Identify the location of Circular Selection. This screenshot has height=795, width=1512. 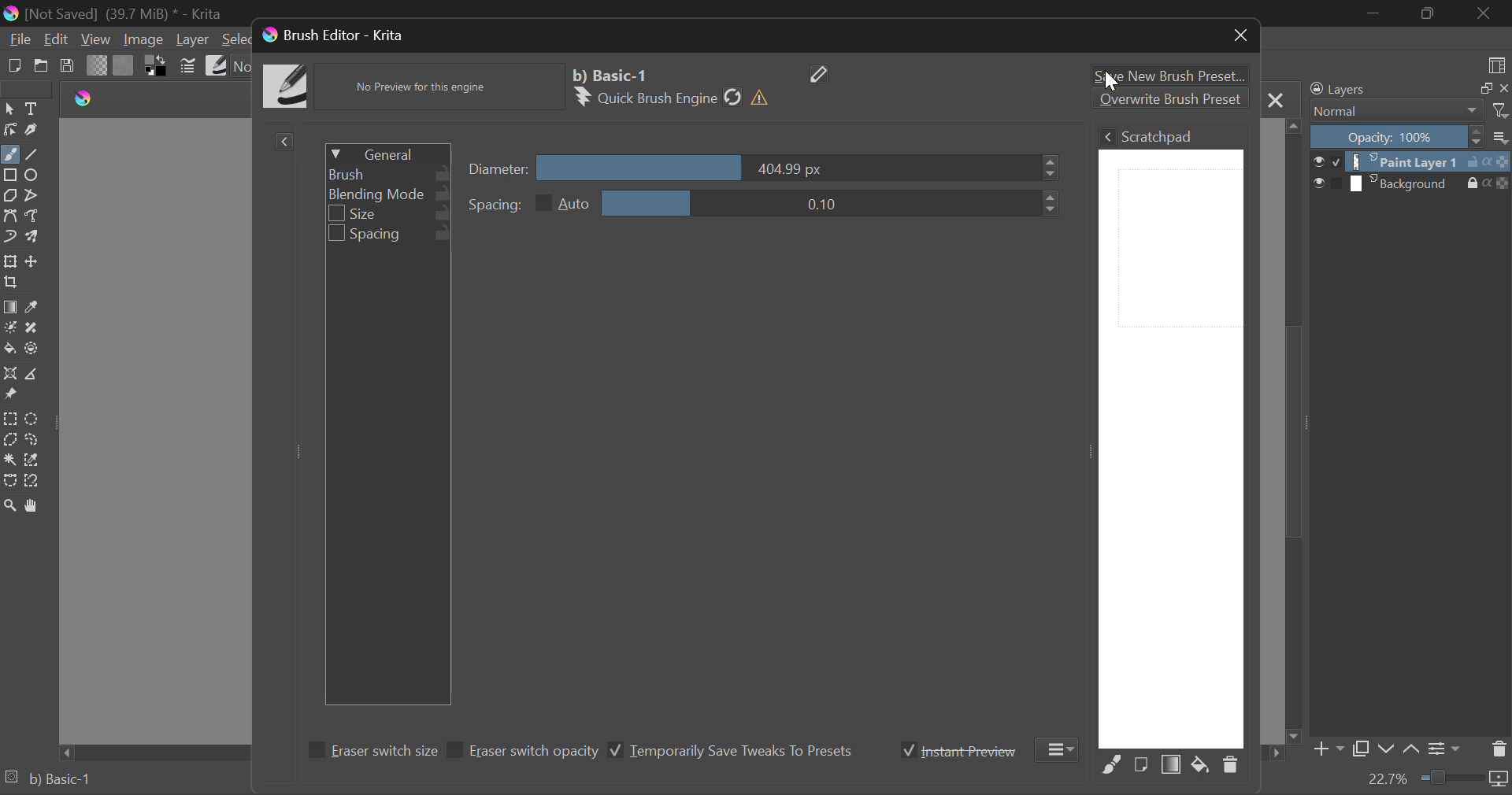
(32, 419).